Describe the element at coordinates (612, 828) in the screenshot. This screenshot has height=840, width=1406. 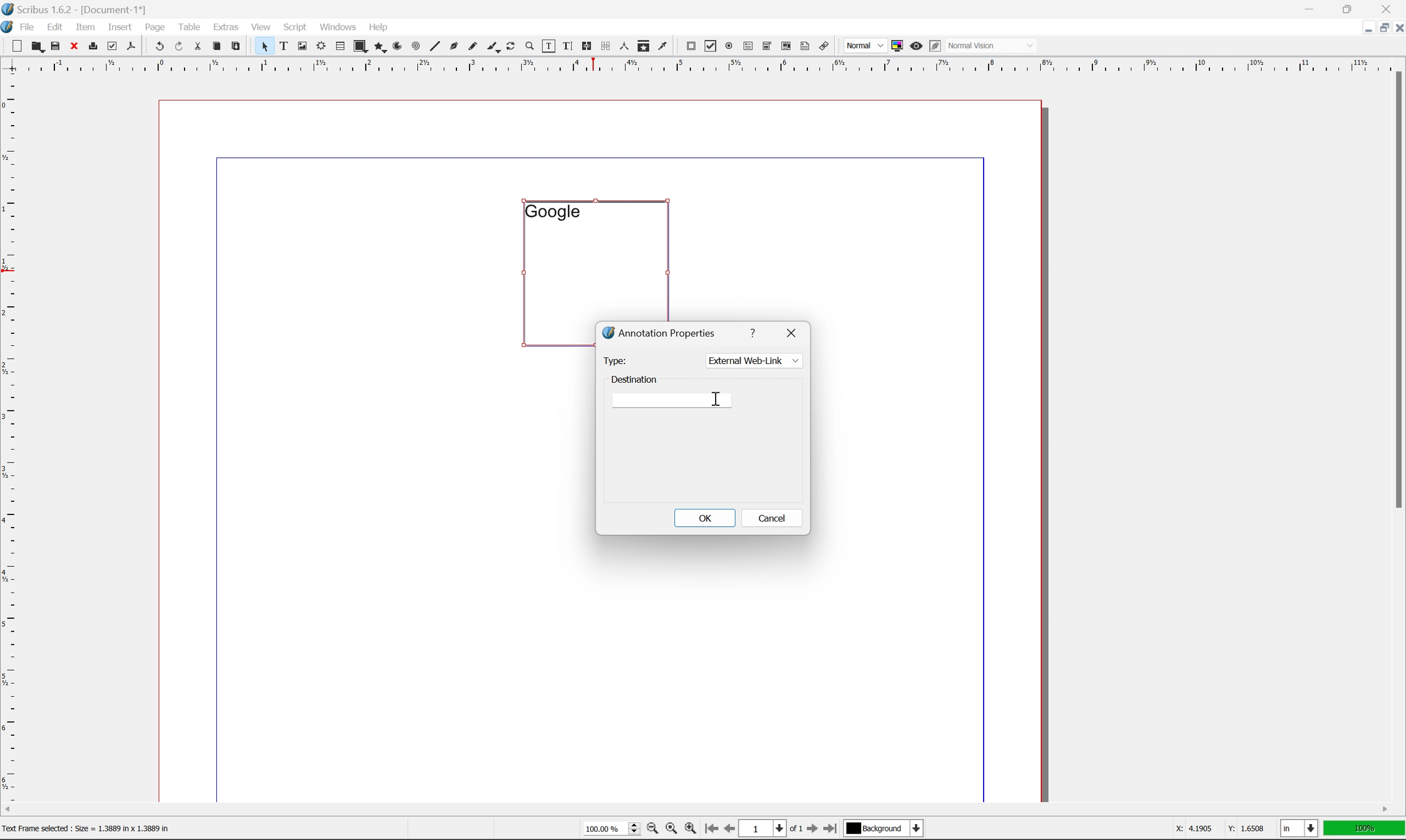
I see `select current zoom level` at that location.